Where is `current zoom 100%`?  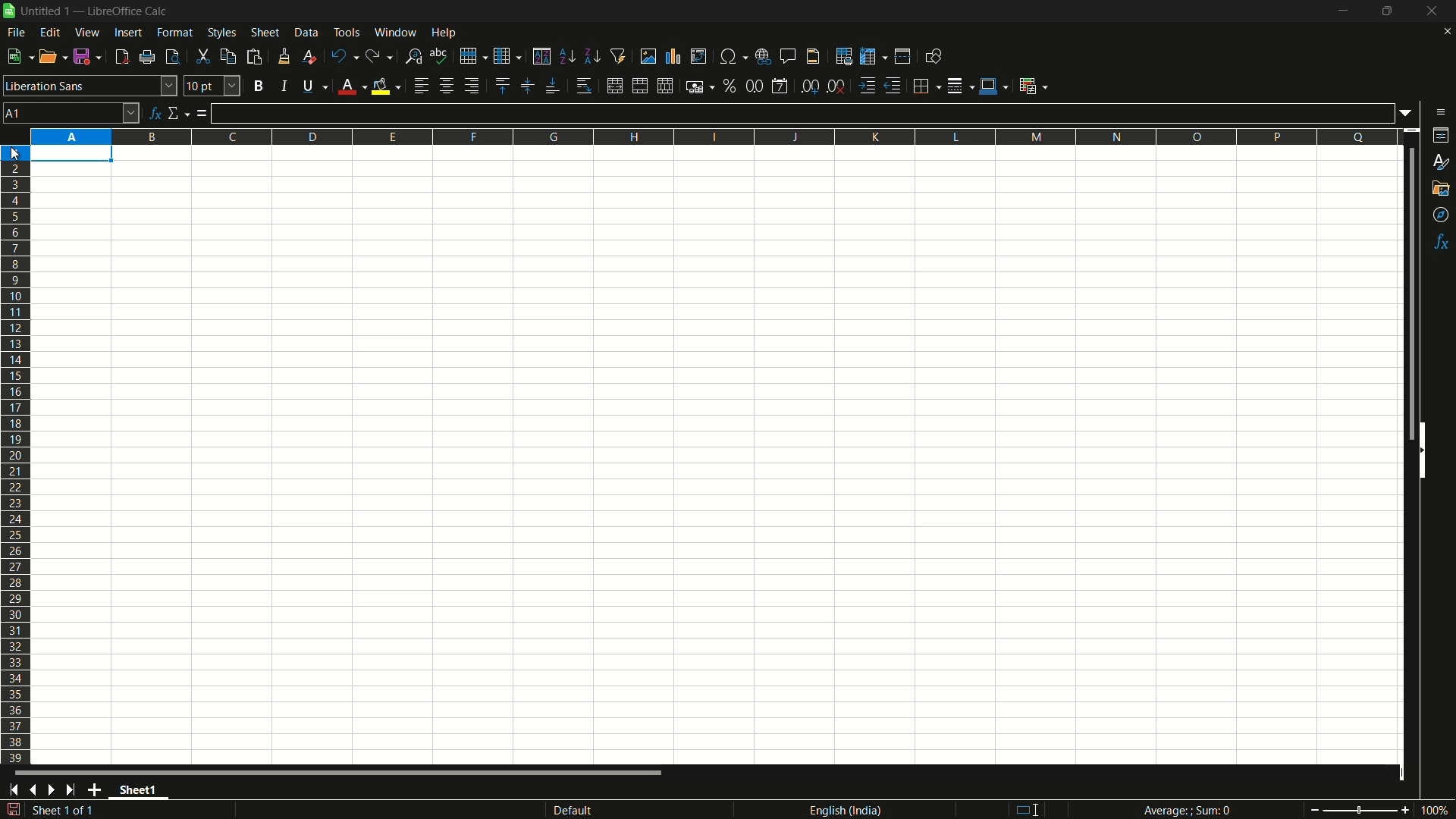
current zoom 100% is located at coordinates (1437, 810).